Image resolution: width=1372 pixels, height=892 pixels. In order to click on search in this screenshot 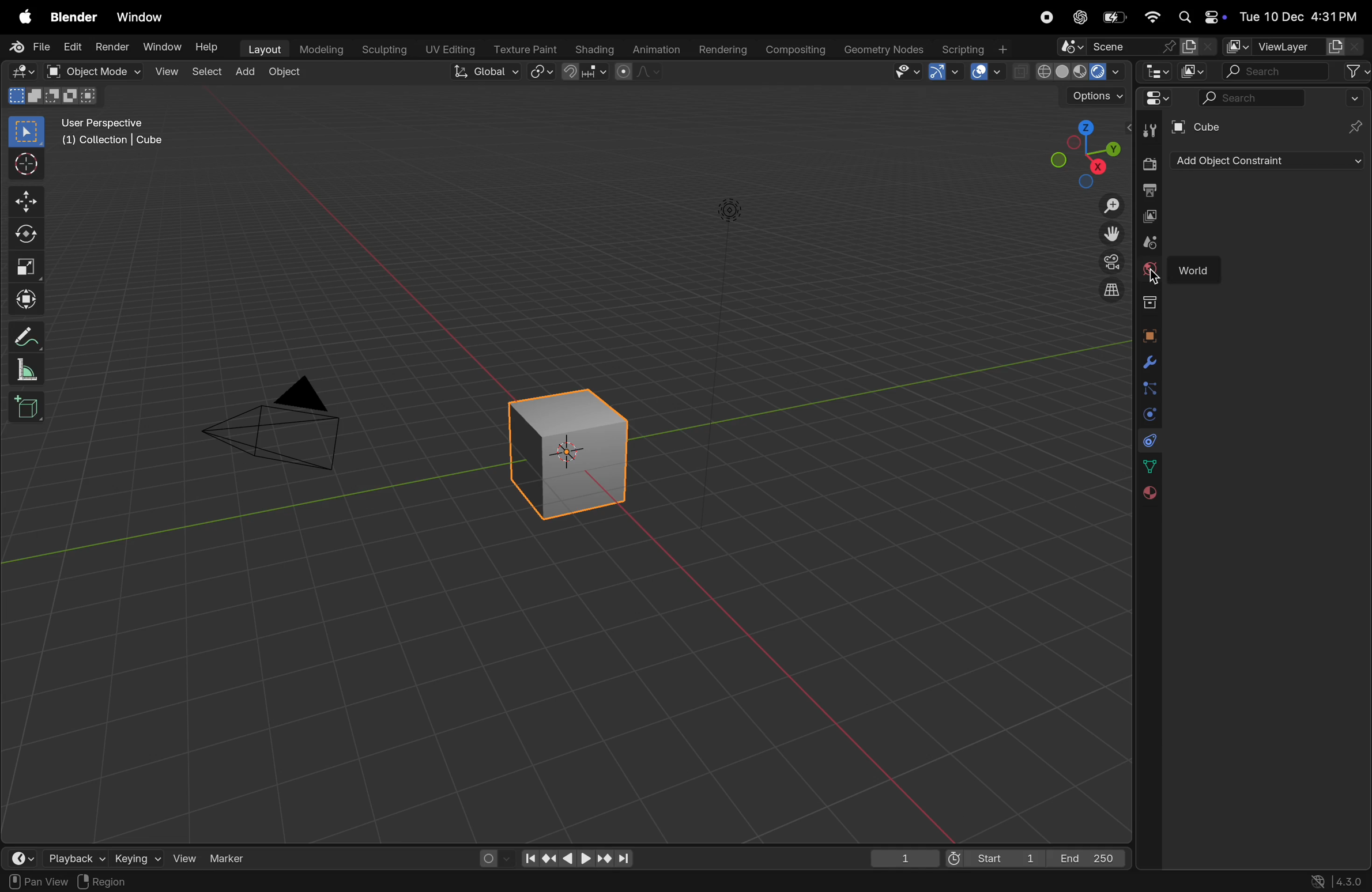, I will do `click(1296, 71)`.